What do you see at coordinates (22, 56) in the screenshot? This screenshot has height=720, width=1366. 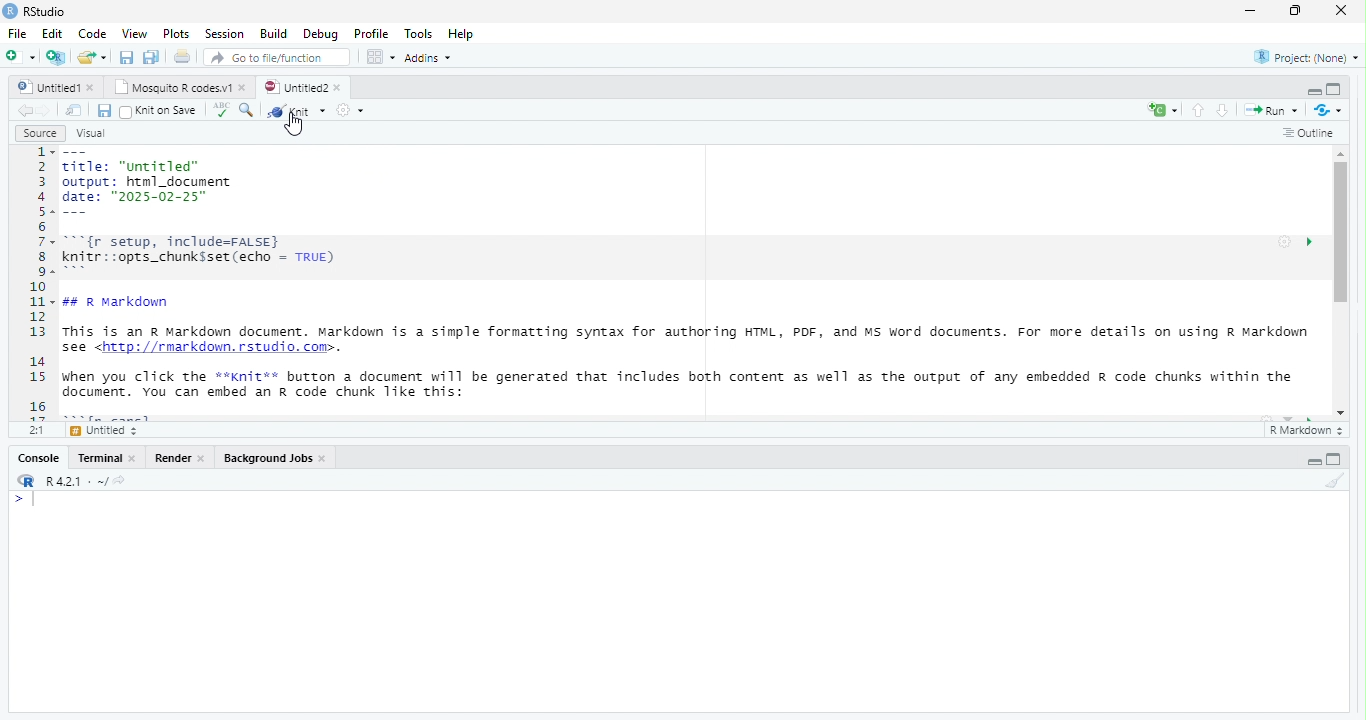 I see `open file` at bounding box center [22, 56].